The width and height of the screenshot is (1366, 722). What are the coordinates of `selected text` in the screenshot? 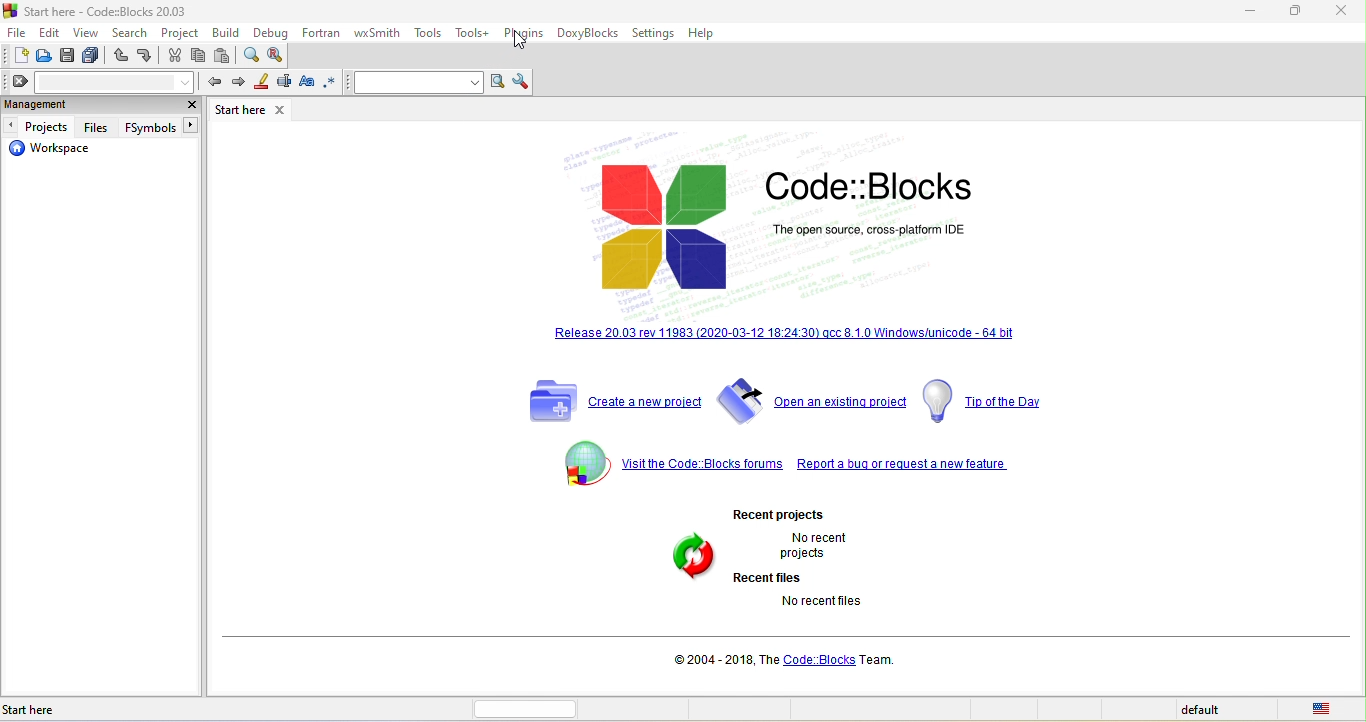 It's located at (284, 84).